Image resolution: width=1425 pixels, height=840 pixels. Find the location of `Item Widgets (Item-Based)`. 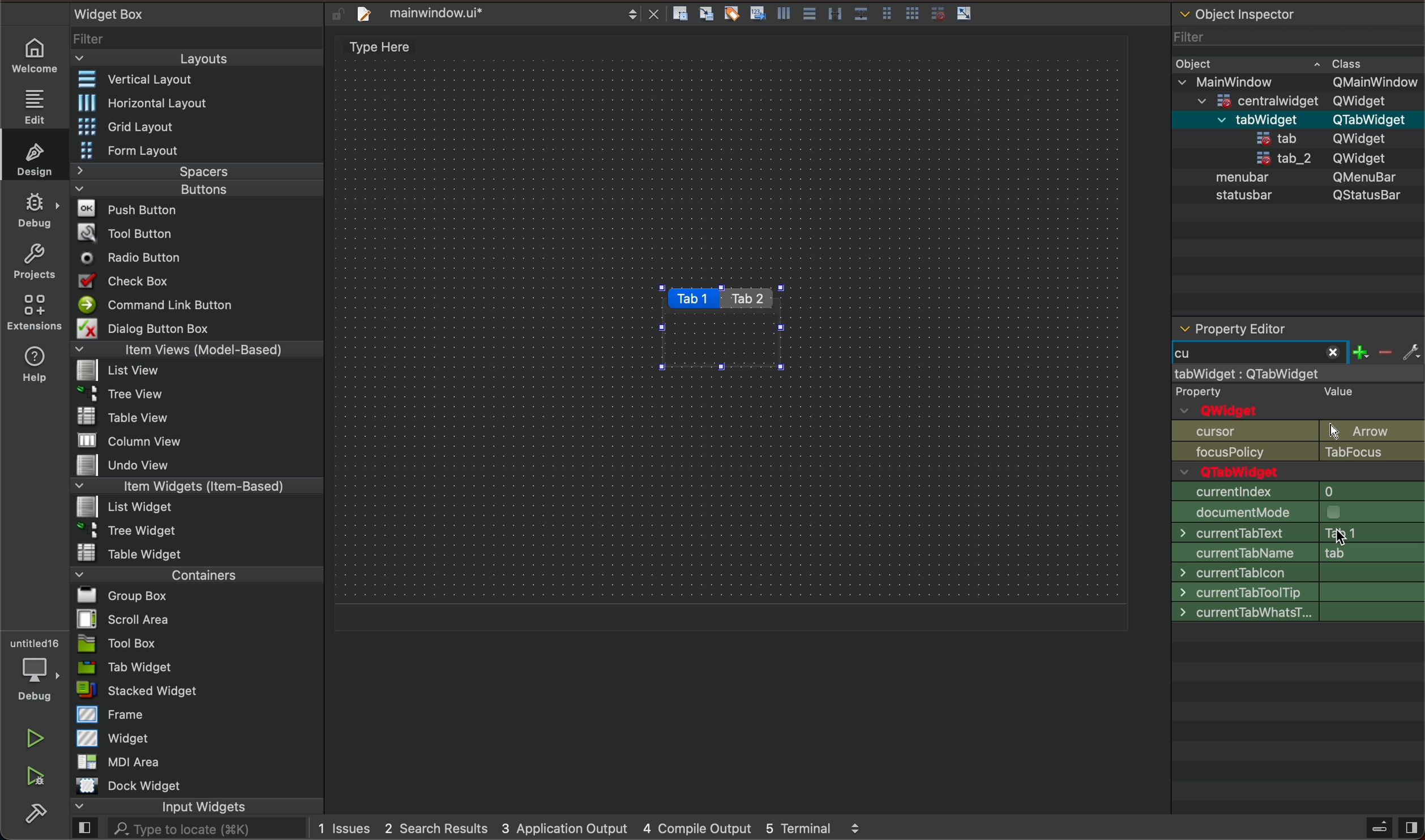

Item Widgets (Item-Based) is located at coordinates (198, 486).